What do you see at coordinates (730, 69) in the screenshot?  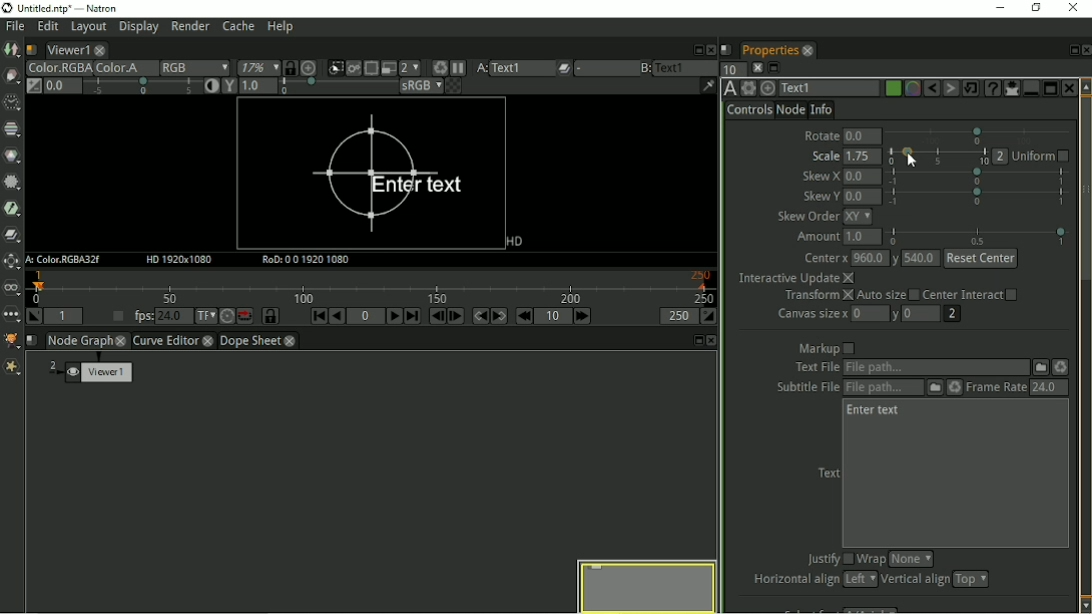 I see `Set a maximum number of panels` at bounding box center [730, 69].